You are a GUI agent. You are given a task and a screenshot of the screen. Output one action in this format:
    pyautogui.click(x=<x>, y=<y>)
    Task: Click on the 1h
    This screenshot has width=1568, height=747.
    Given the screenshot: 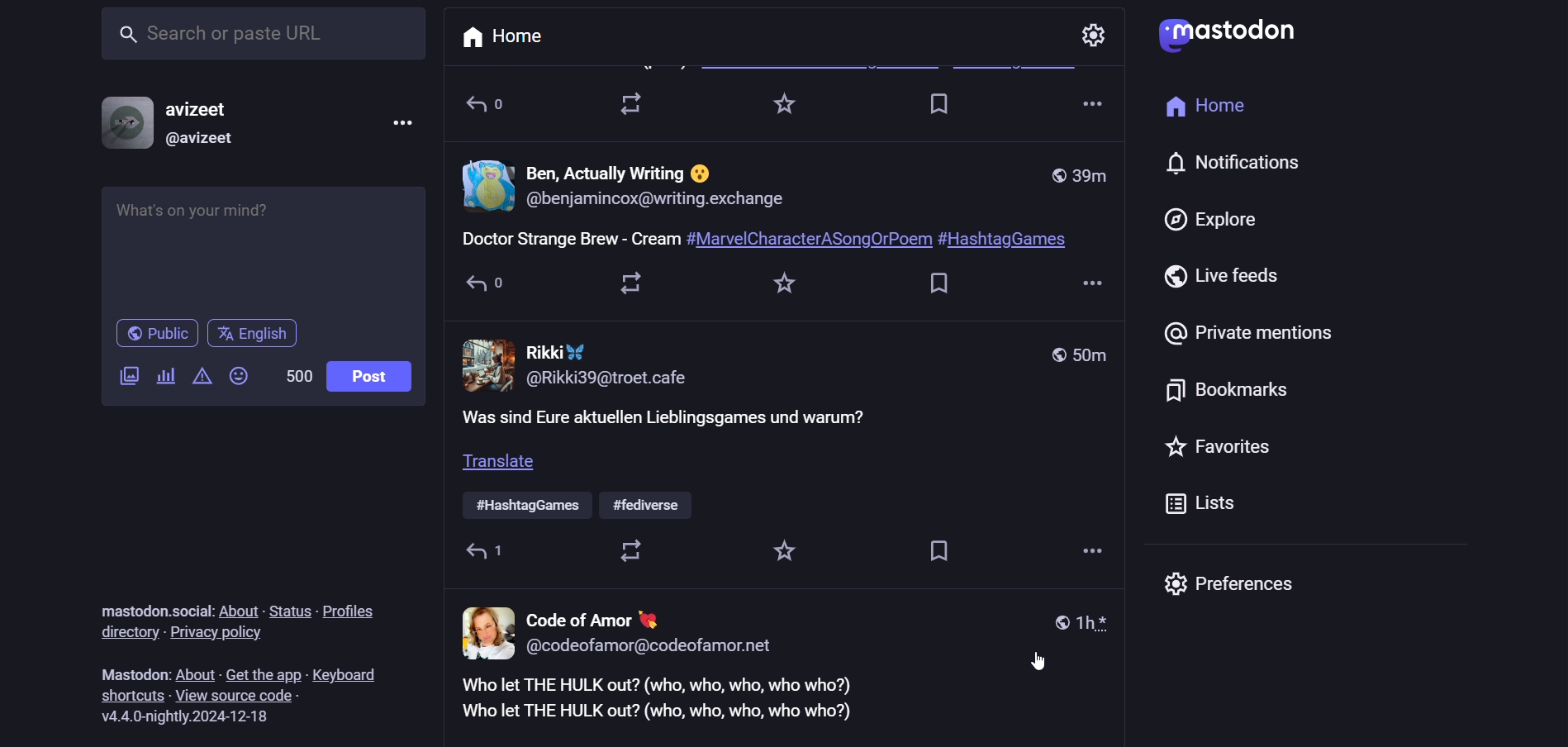 What is the action you would take?
    pyautogui.click(x=1081, y=626)
    